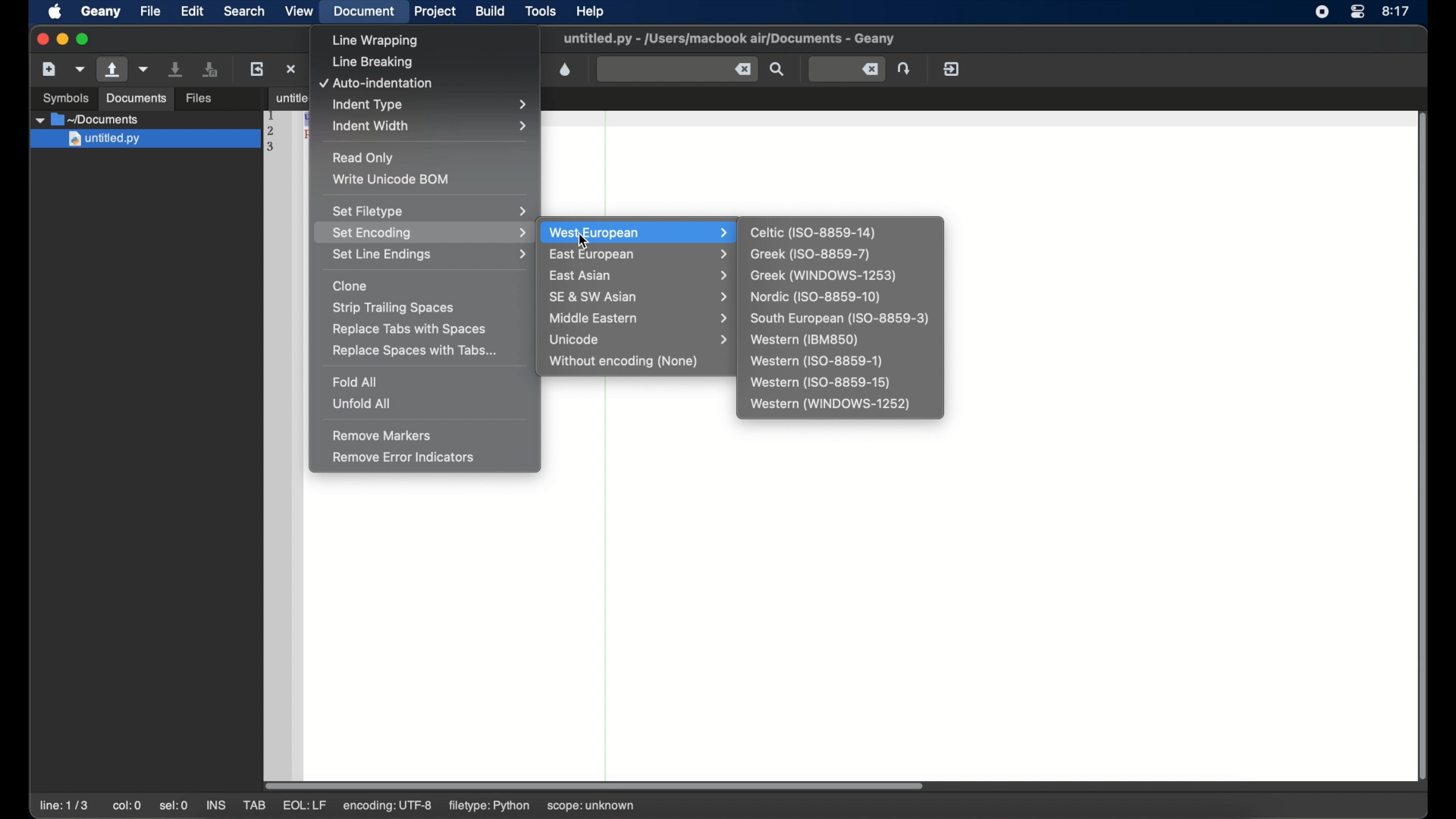 This screenshot has height=819, width=1456. I want to click on clone, so click(350, 286).